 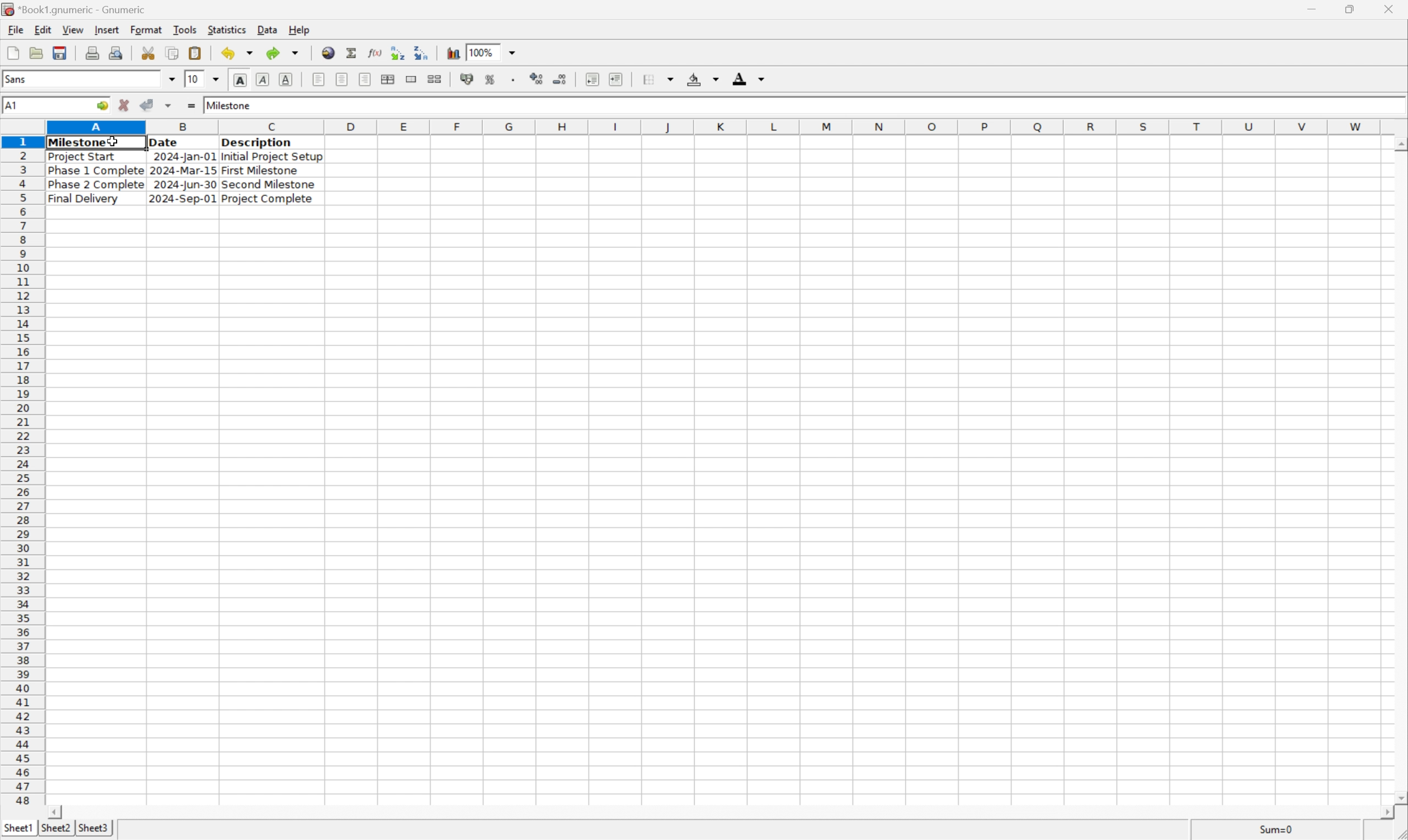 What do you see at coordinates (72, 30) in the screenshot?
I see `view` at bounding box center [72, 30].